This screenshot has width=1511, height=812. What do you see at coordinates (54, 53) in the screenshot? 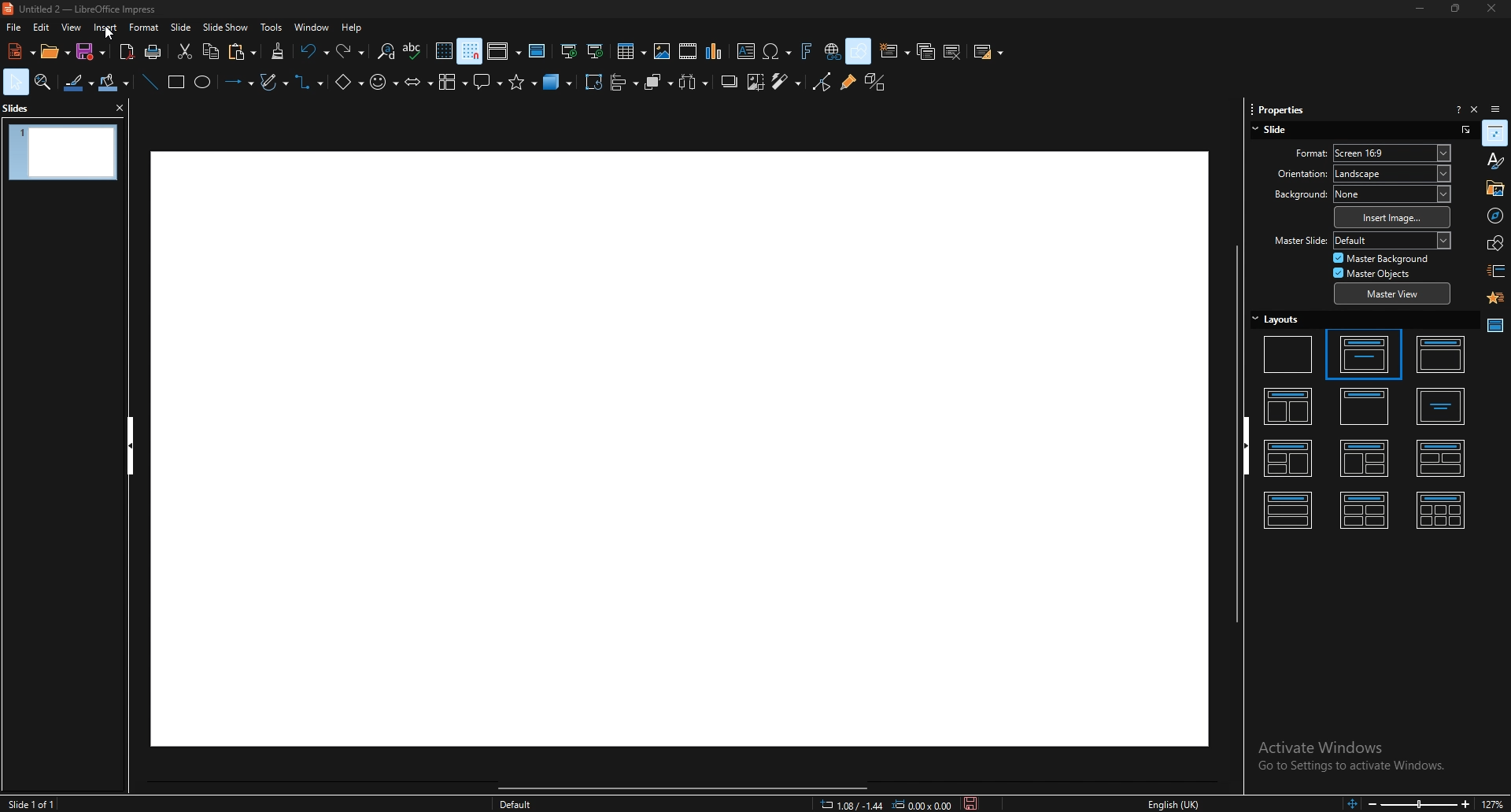
I see `open` at bounding box center [54, 53].